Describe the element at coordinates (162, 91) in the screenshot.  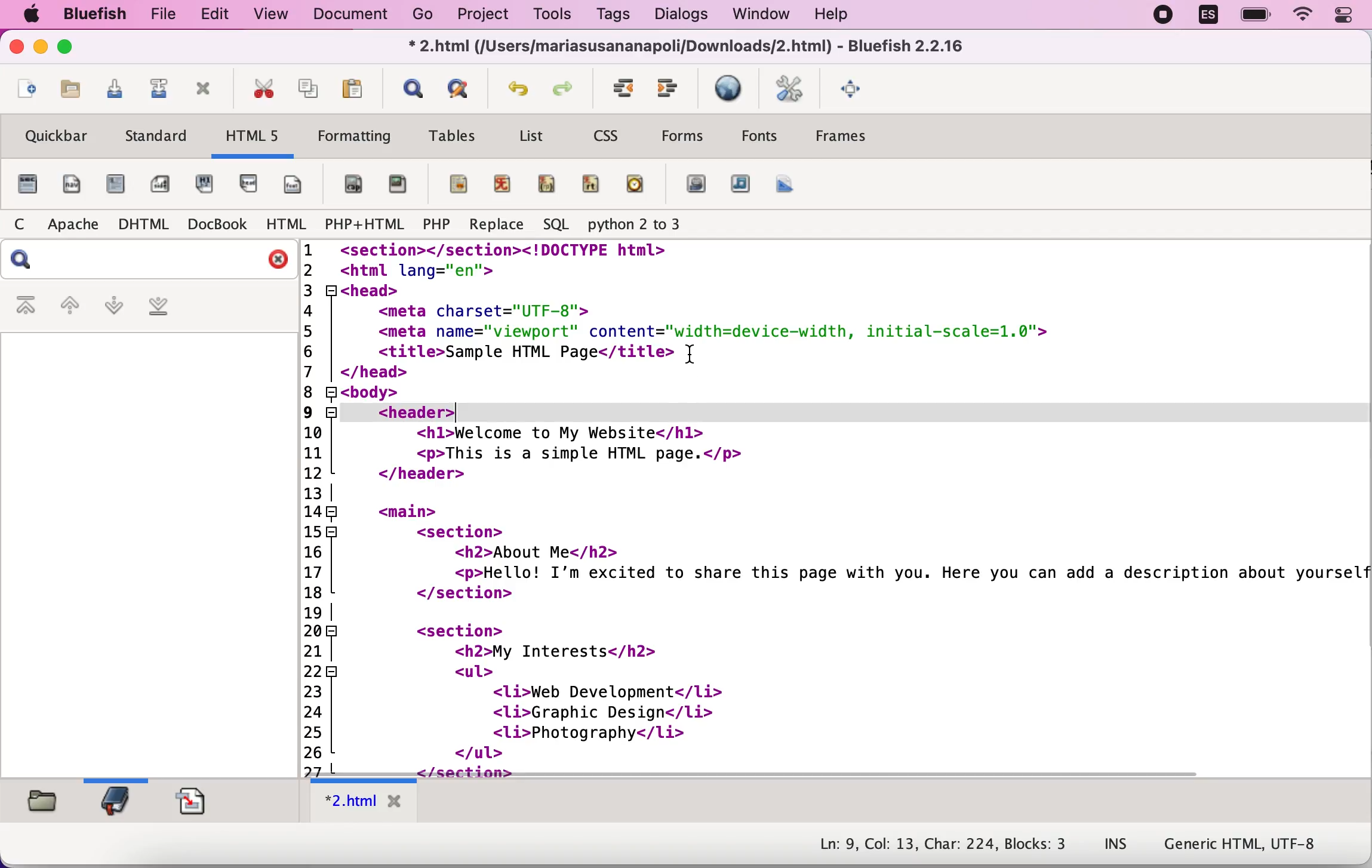
I see `save as` at that location.